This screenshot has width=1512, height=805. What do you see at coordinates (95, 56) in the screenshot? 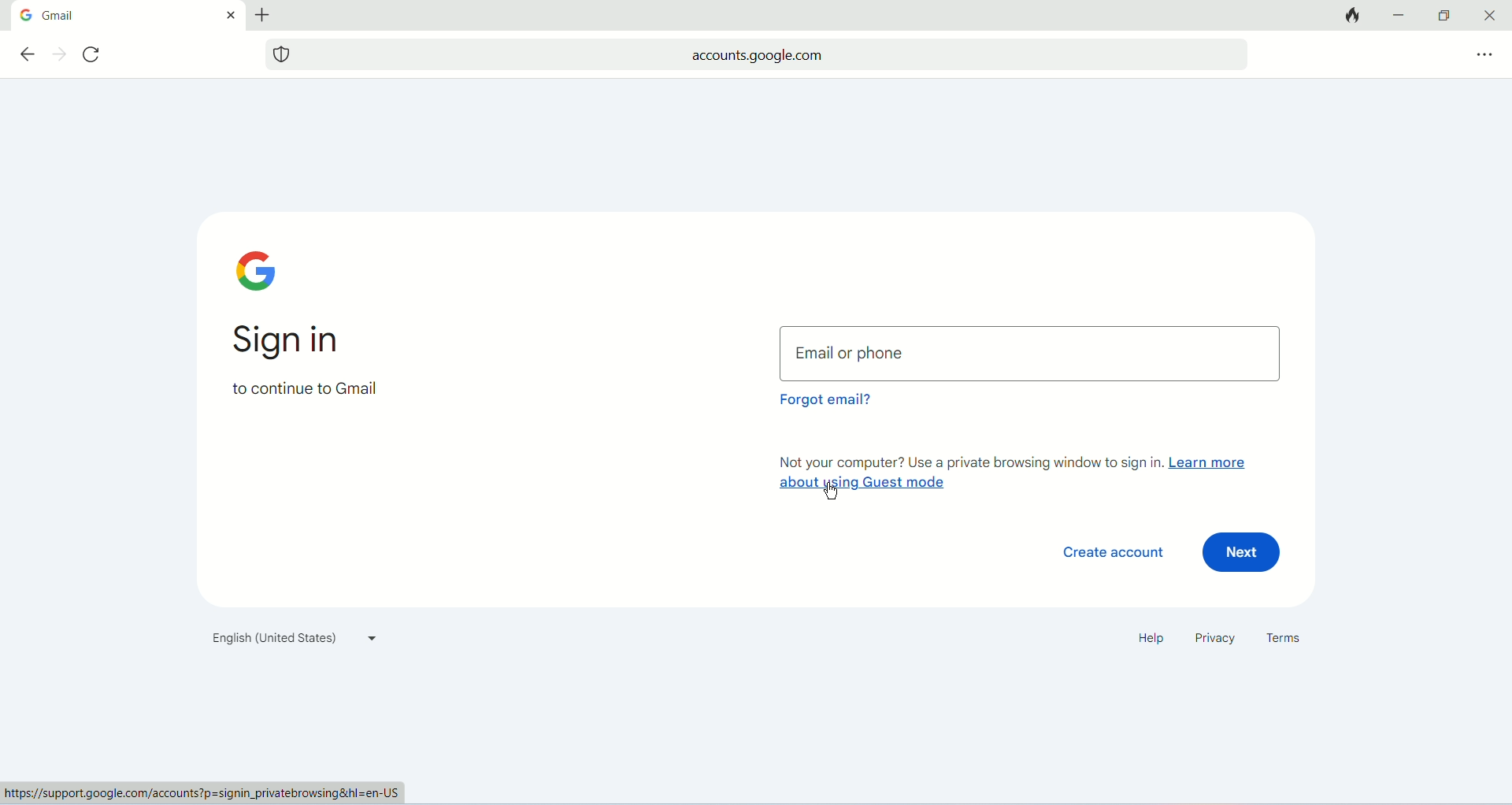
I see `refresh` at bounding box center [95, 56].